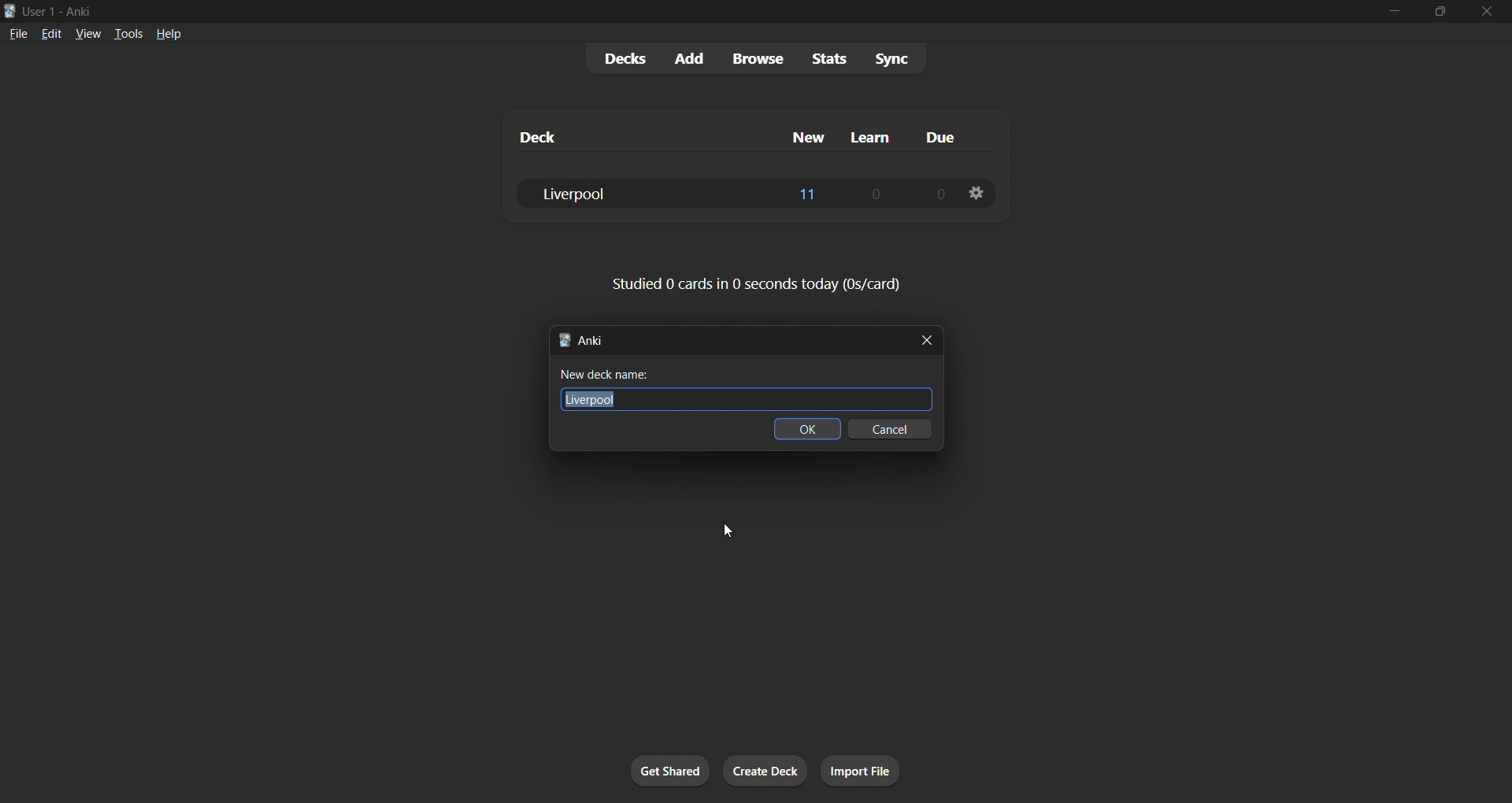 The width and height of the screenshot is (1512, 803). Describe the element at coordinates (809, 135) in the screenshot. I see `new column` at that location.